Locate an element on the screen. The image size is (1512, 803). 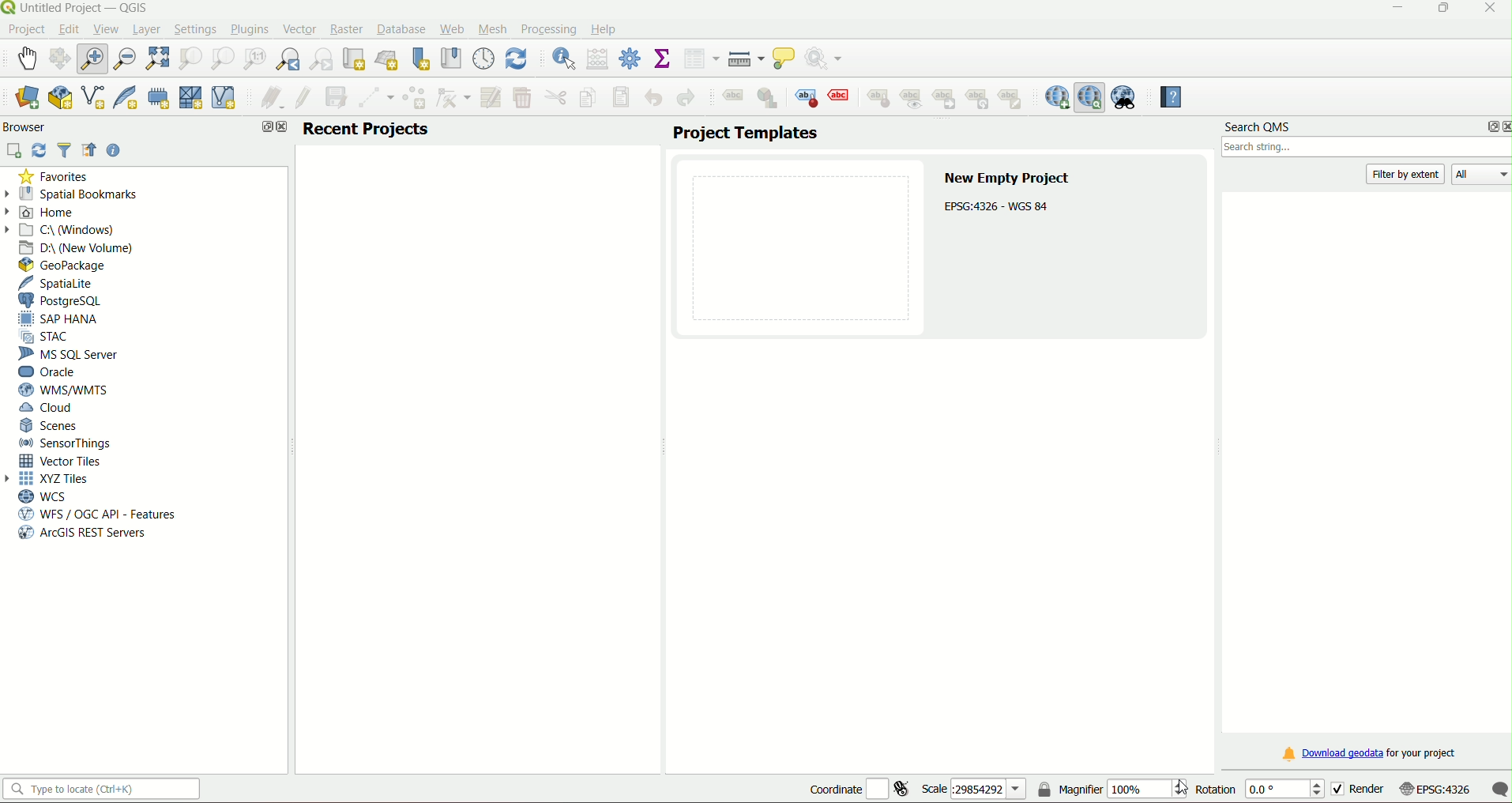
zoom in is located at coordinates (96, 58).